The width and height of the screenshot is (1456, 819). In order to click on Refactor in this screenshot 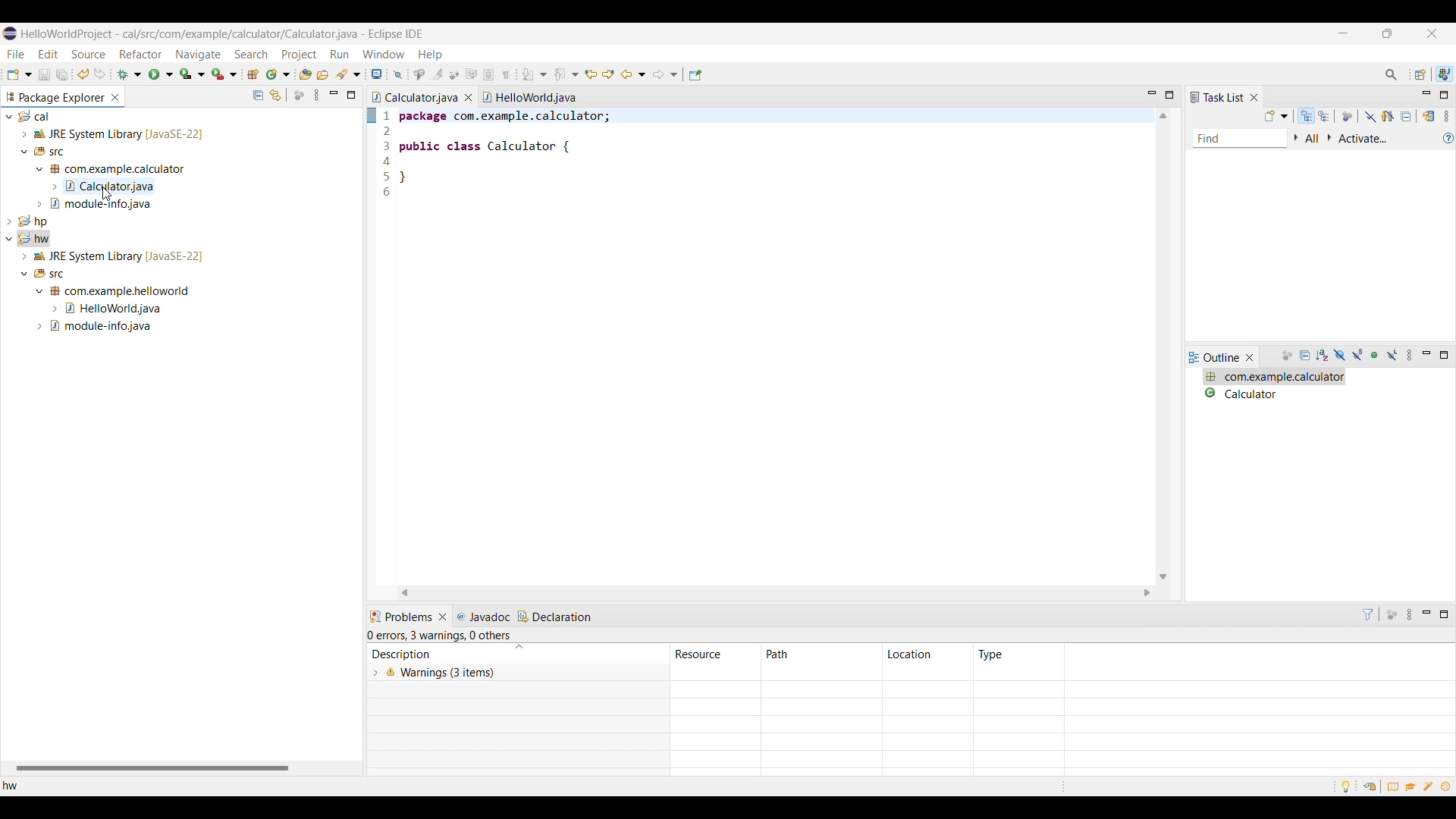, I will do `click(140, 54)`.